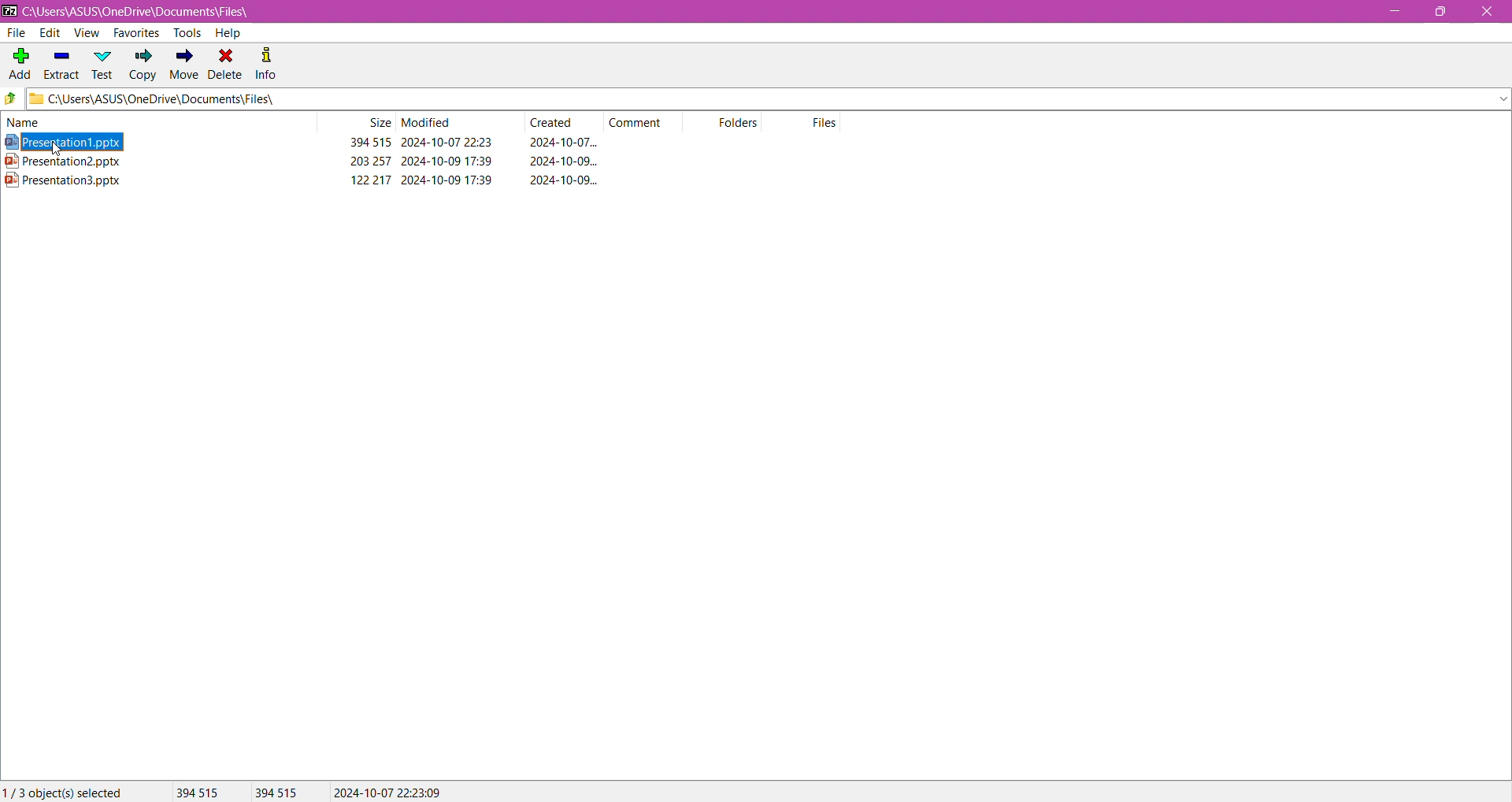  What do you see at coordinates (185, 32) in the screenshot?
I see `Tools` at bounding box center [185, 32].